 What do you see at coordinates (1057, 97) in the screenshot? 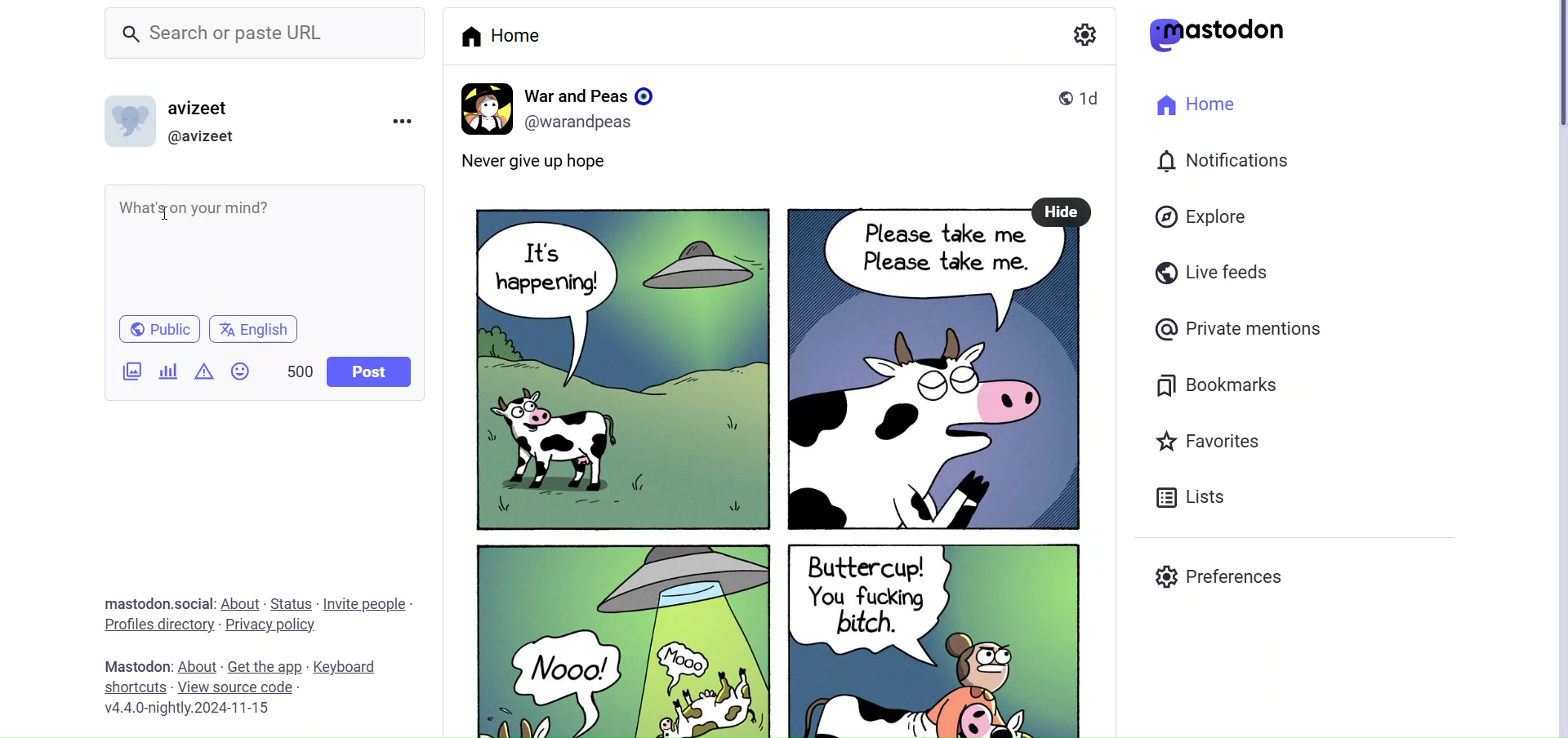
I see `public post` at bounding box center [1057, 97].